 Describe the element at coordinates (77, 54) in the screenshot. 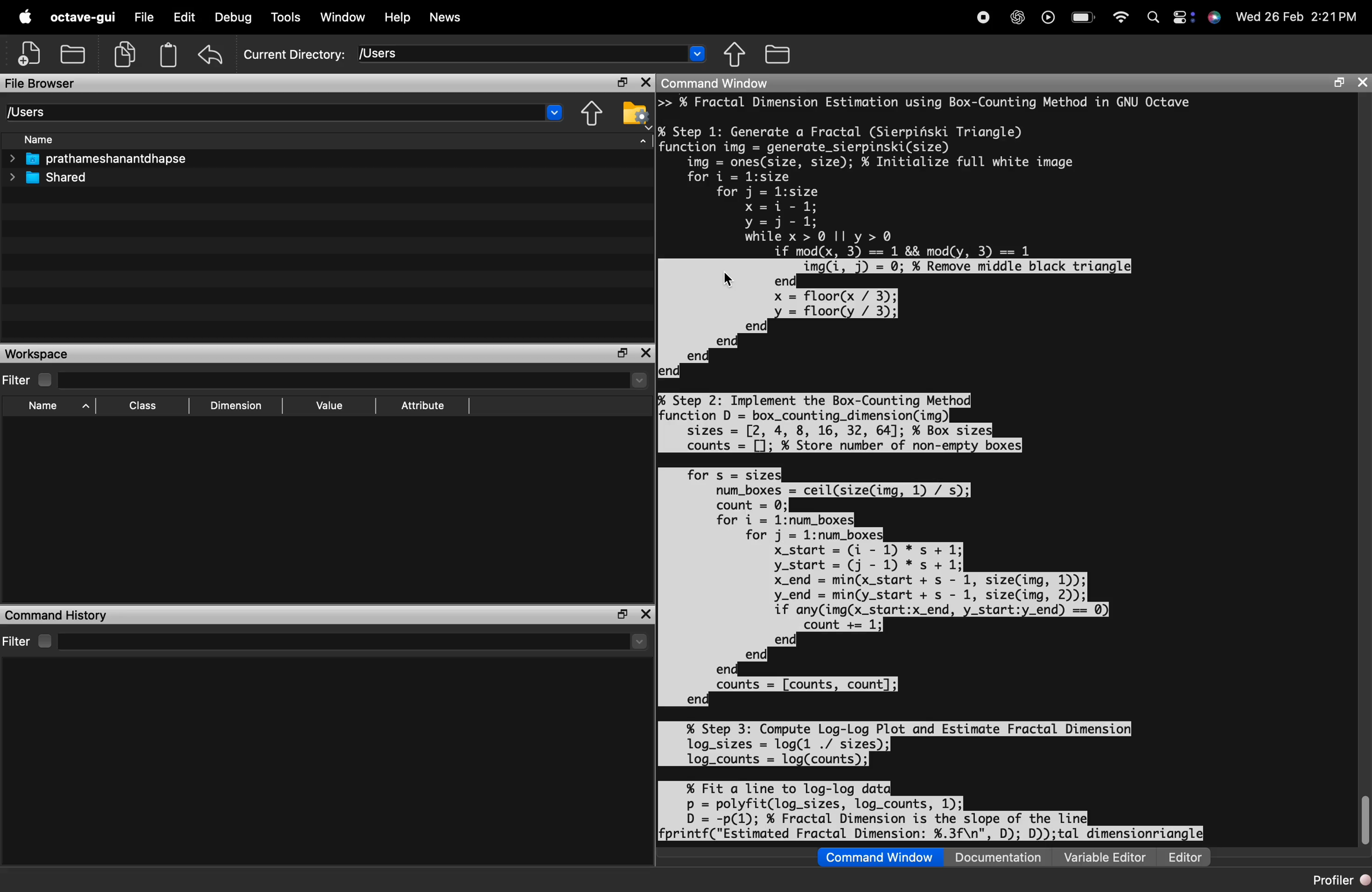

I see `local files` at that location.